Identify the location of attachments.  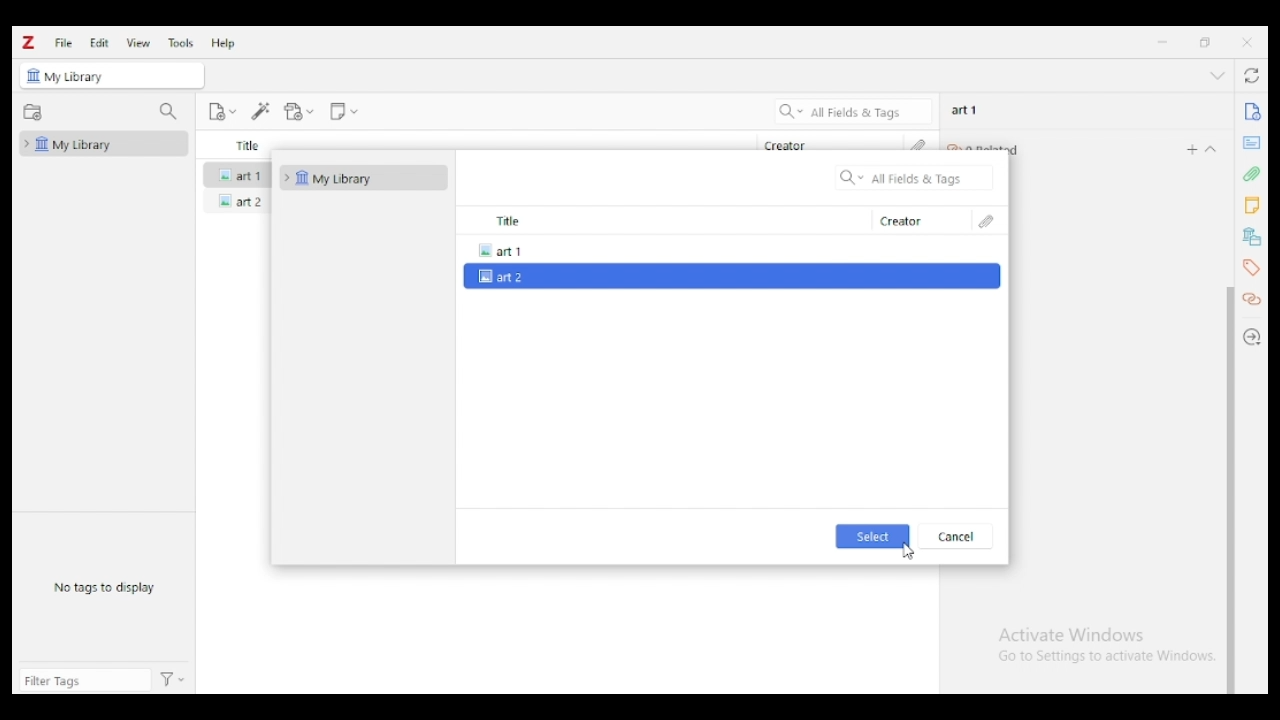
(1251, 173).